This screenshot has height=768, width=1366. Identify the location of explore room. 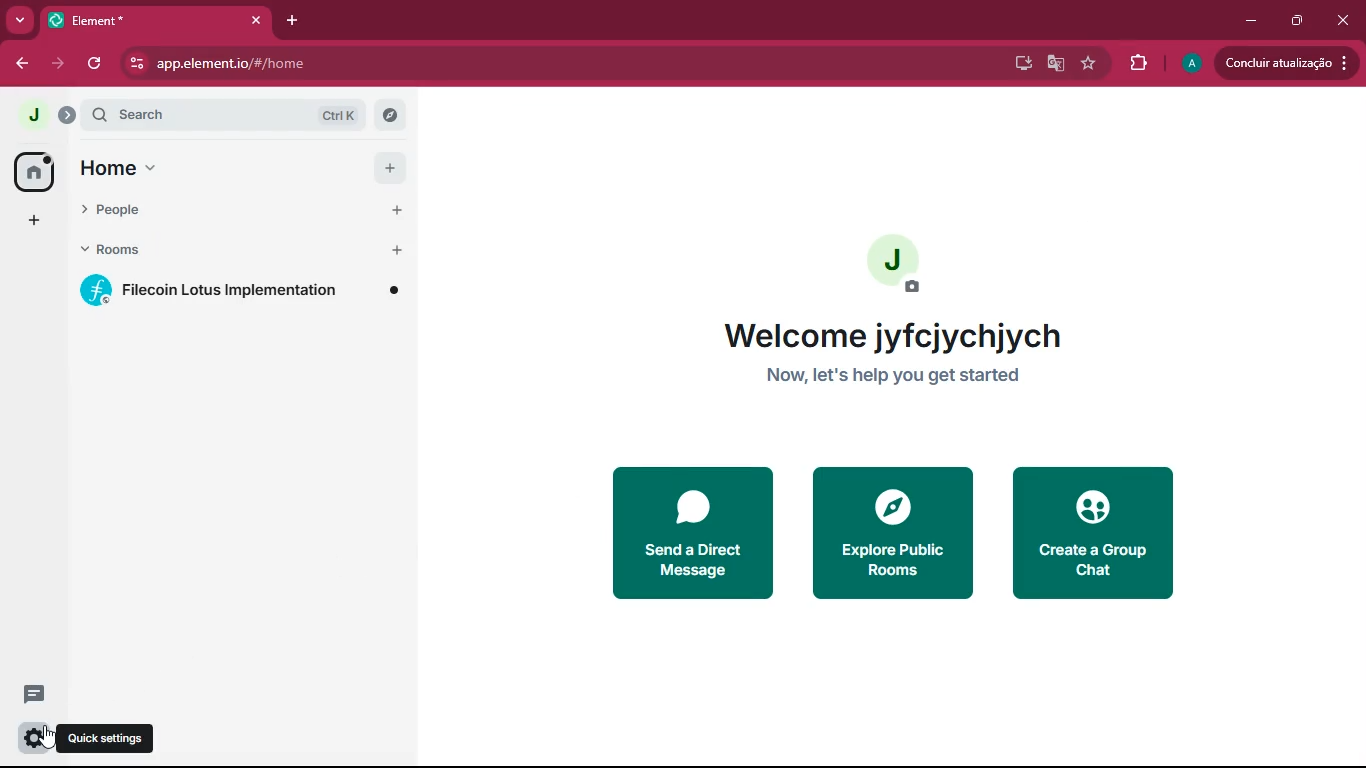
(389, 114).